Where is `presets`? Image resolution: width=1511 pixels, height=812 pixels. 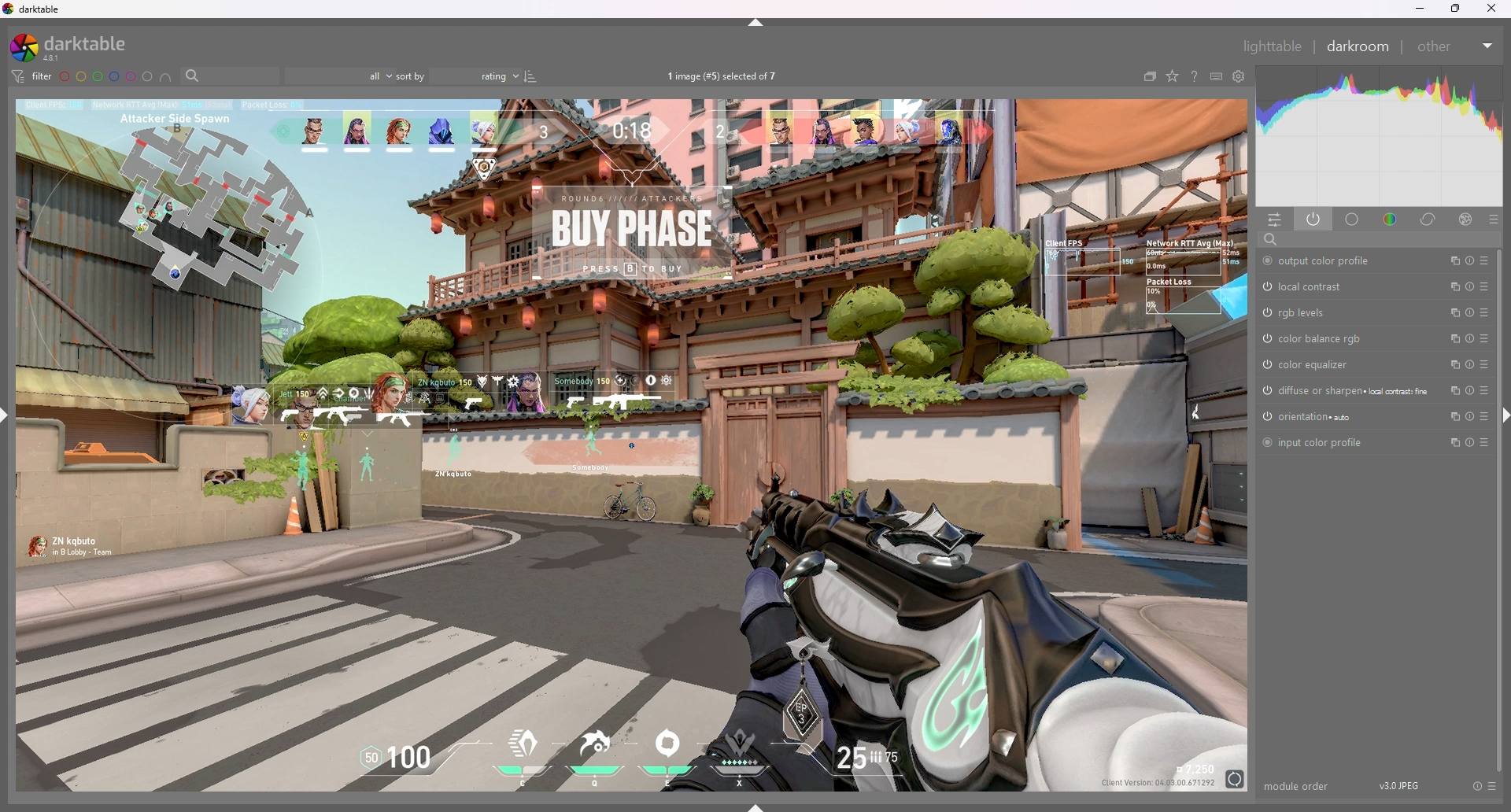
presets is located at coordinates (1485, 260).